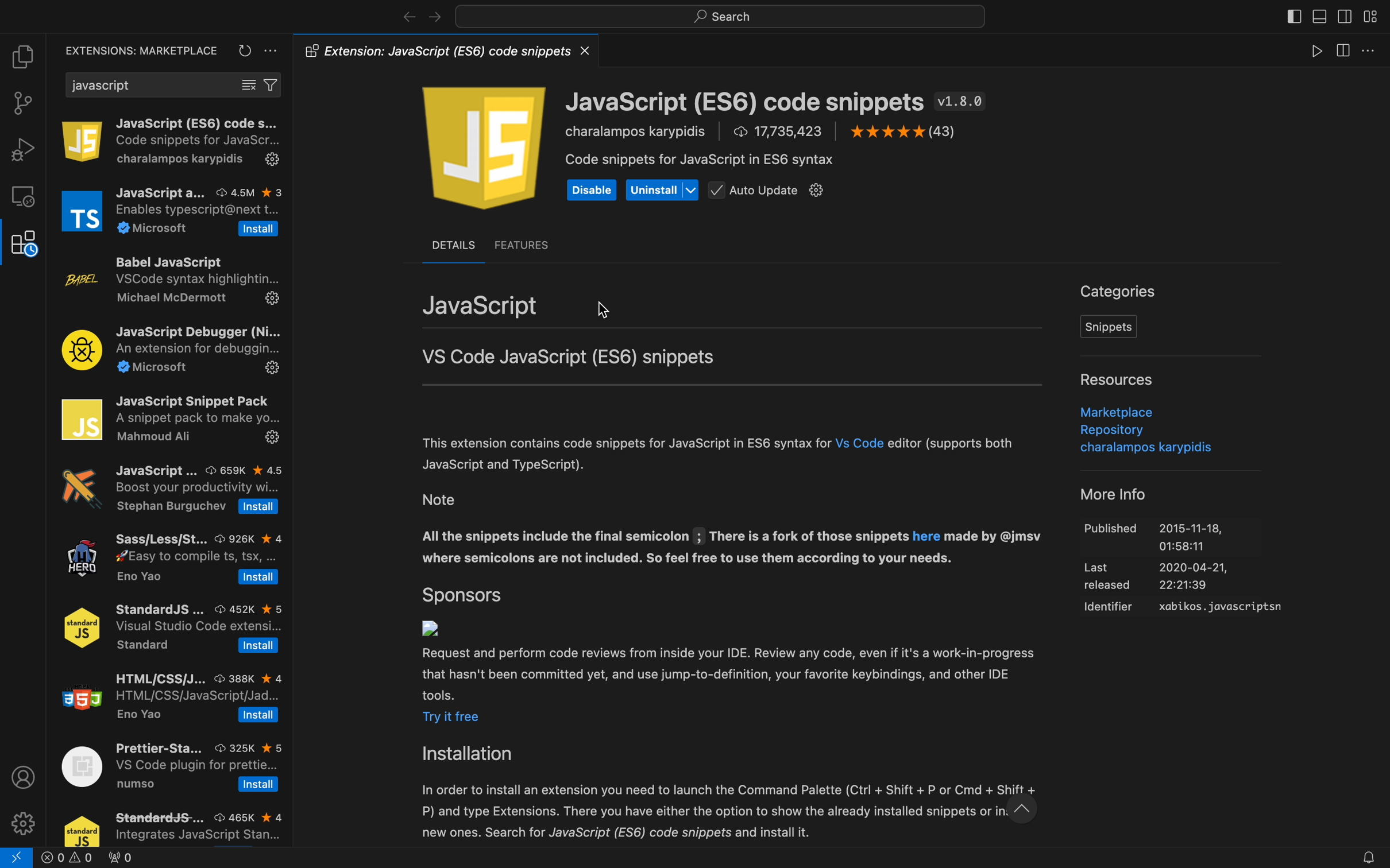 This screenshot has height=868, width=1390. Describe the element at coordinates (169, 348) in the screenshot. I see `JavaScript Debugger (Ni...
An extension for debuggin...
2 Microsoft £23` at that location.